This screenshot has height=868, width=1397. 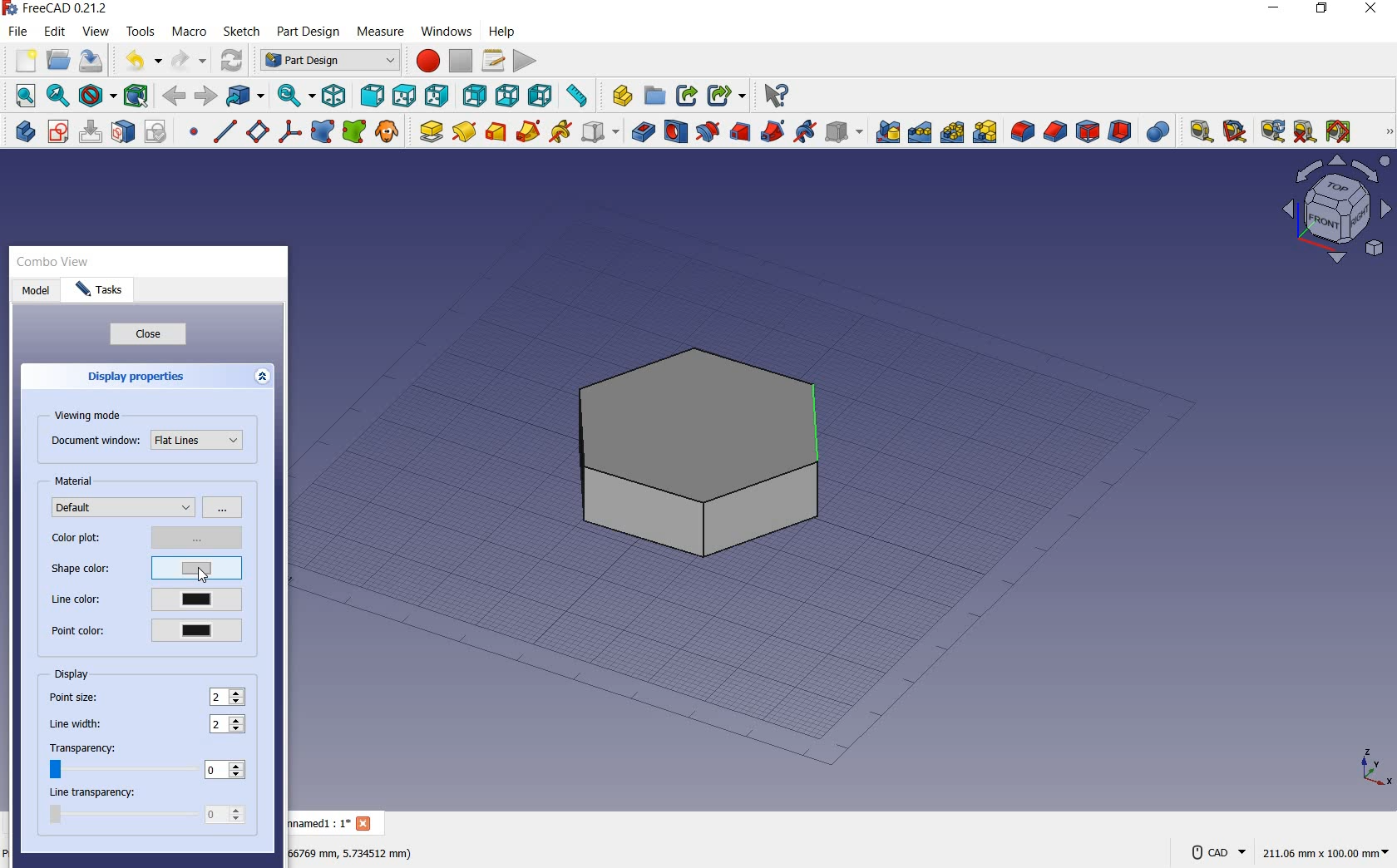 I want to click on help, so click(x=511, y=32).